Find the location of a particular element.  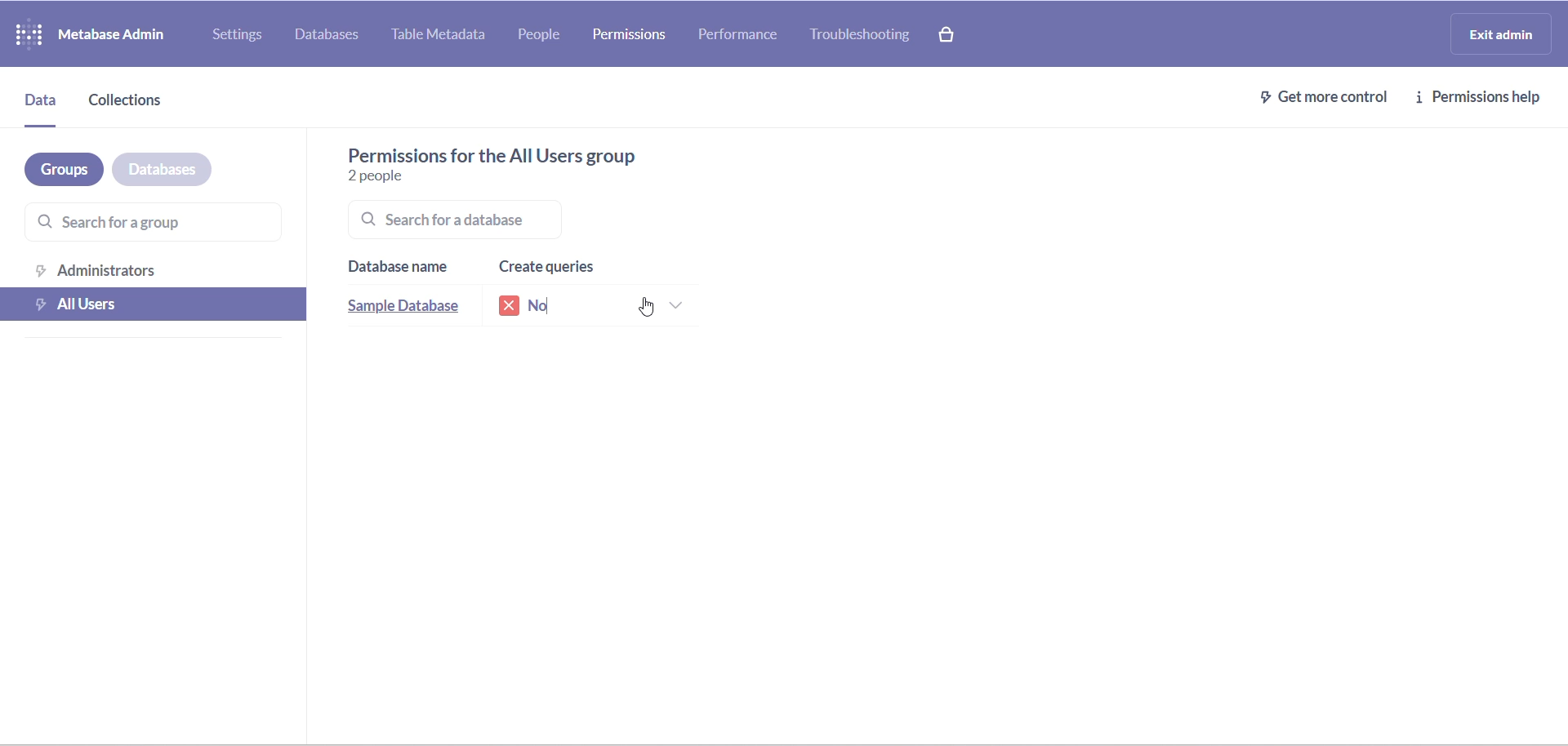

administration is located at coordinates (161, 269).